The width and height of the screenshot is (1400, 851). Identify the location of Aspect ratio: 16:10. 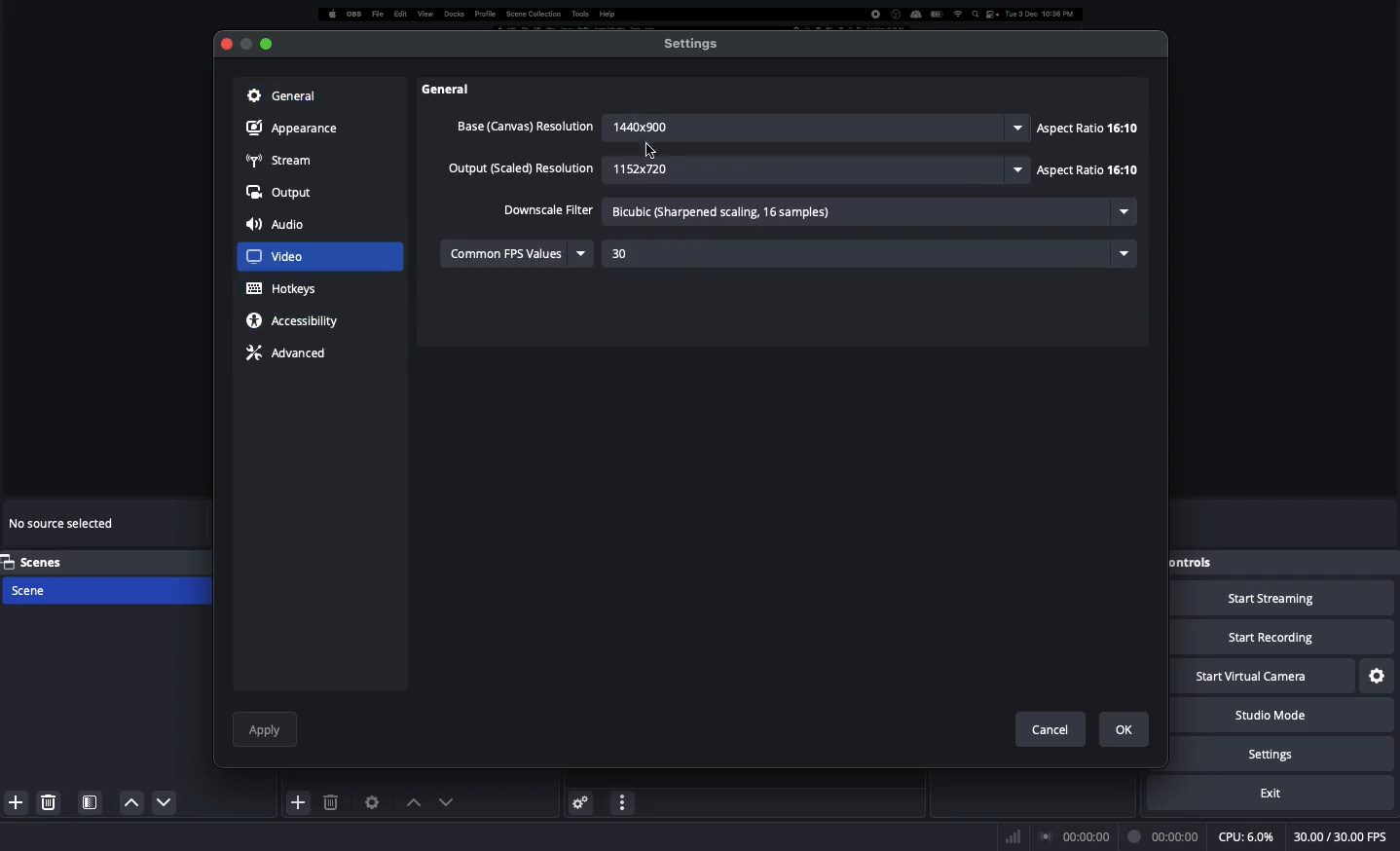
(1090, 149).